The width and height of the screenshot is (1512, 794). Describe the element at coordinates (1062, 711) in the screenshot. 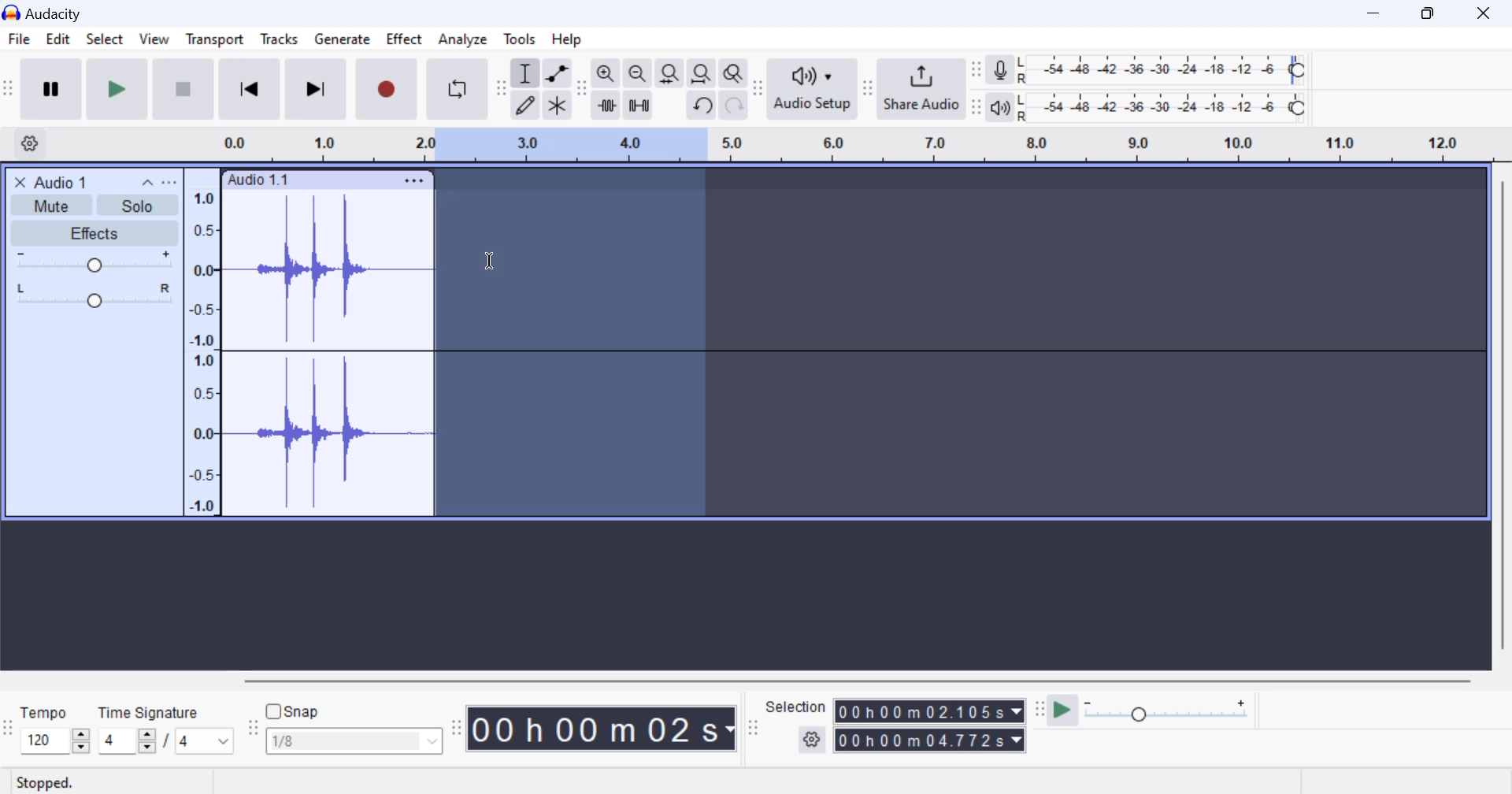

I see `play at speed` at that location.